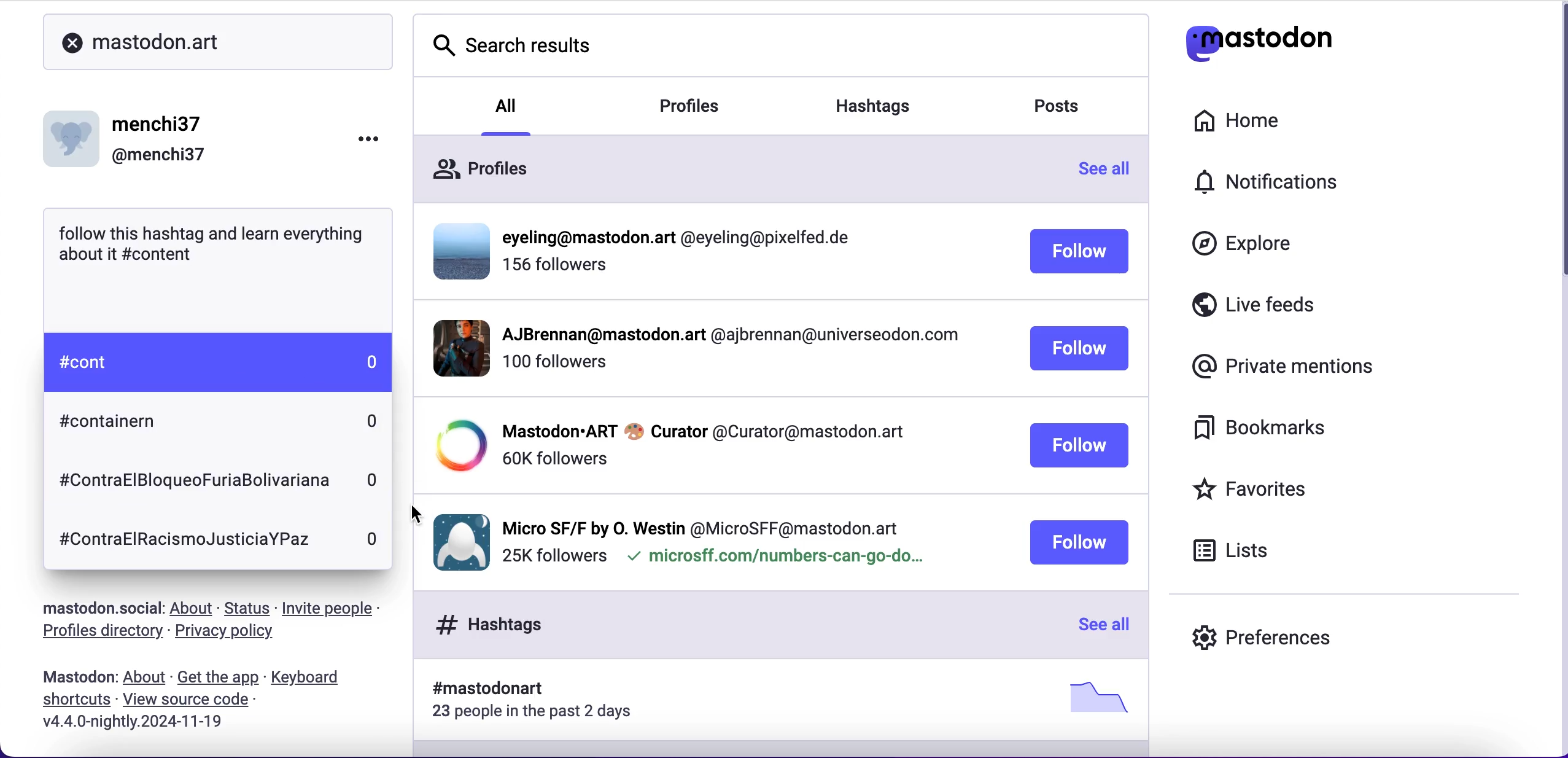 Image resolution: width=1568 pixels, height=758 pixels. What do you see at coordinates (683, 238) in the screenshot?
I see `profiile` at bounding box center [683, 238].